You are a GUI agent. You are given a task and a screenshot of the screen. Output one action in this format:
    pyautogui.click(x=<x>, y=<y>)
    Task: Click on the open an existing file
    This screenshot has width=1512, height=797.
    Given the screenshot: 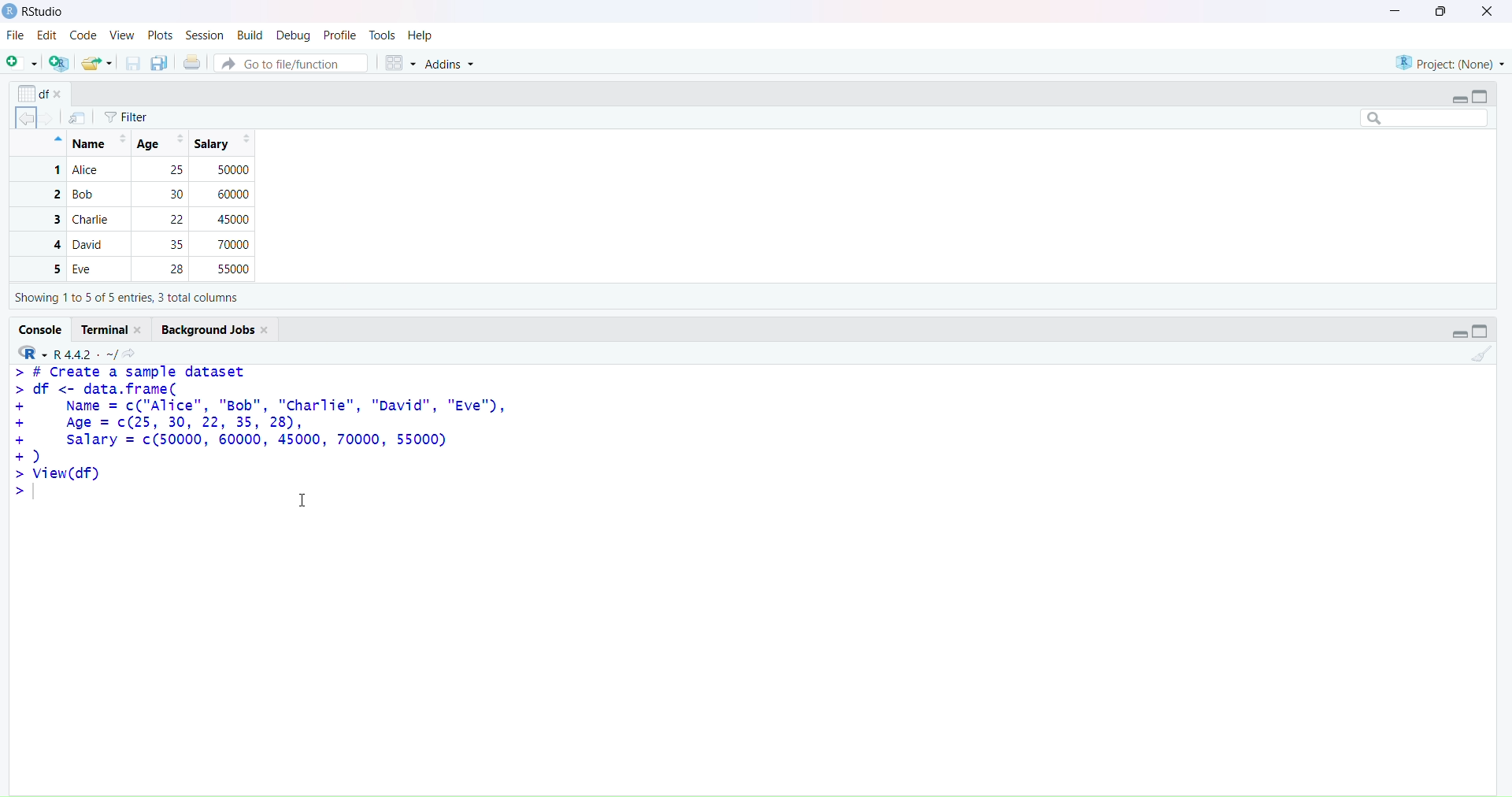 What is the action you would take?
    pyautogui.click(x=98, y=65)
    